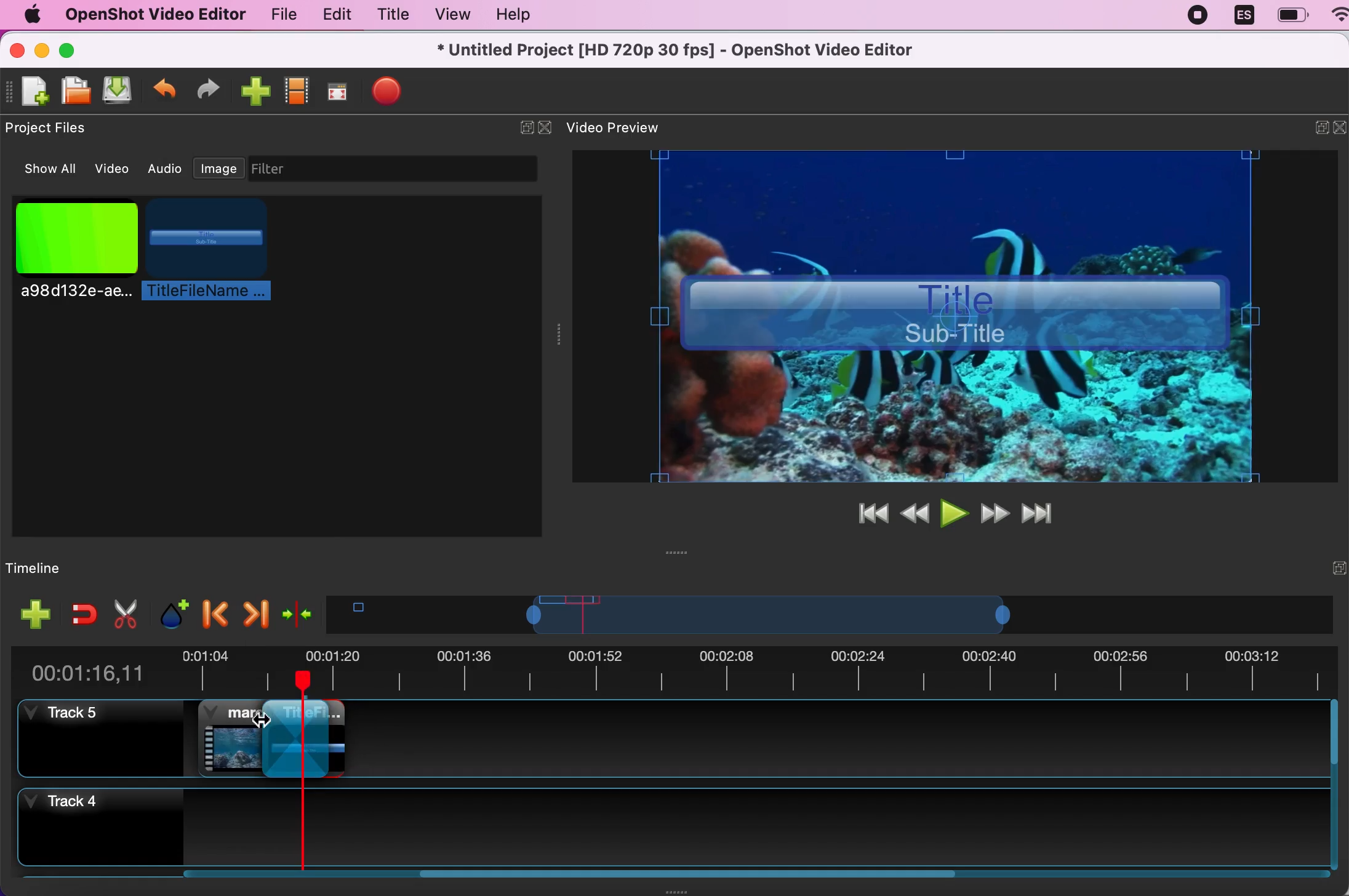 The width and height of the screenshot is (1349, 896). What do you see at coordinates (297, 612) in the screenshot?
I see `center the timeline` at bounding box center [297, 612].